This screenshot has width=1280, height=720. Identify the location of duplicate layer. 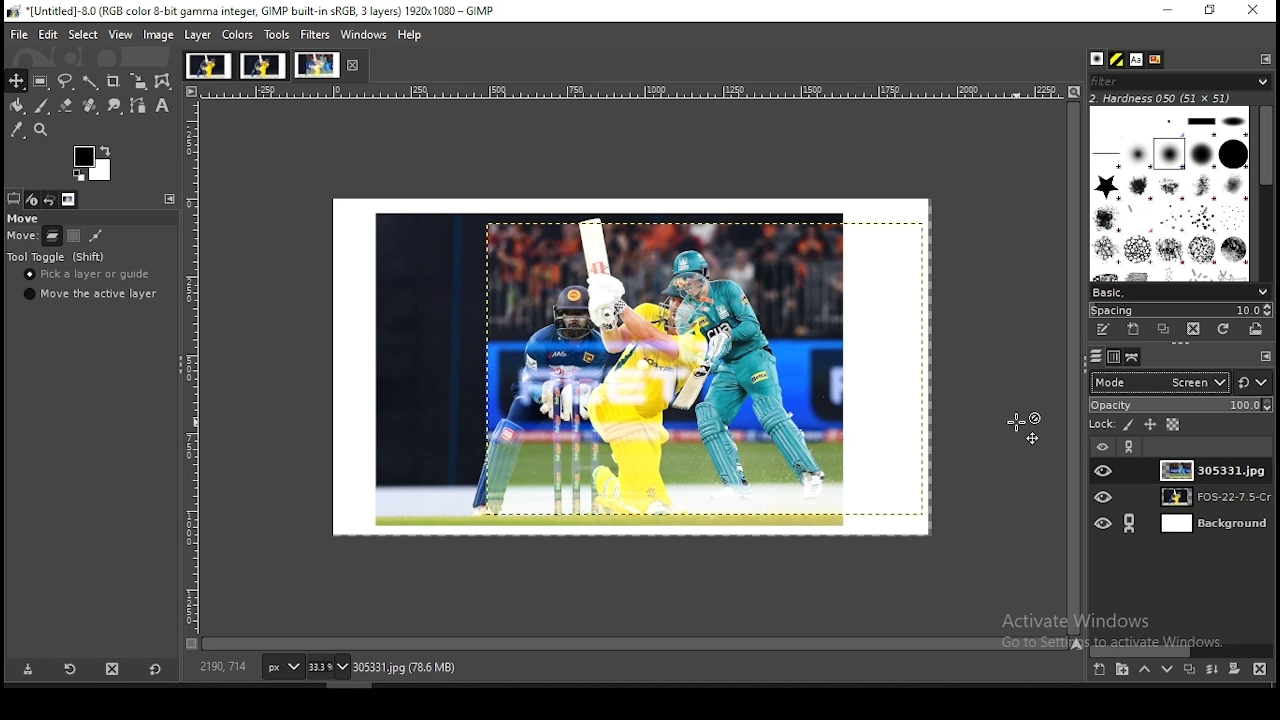
(1188, 669).